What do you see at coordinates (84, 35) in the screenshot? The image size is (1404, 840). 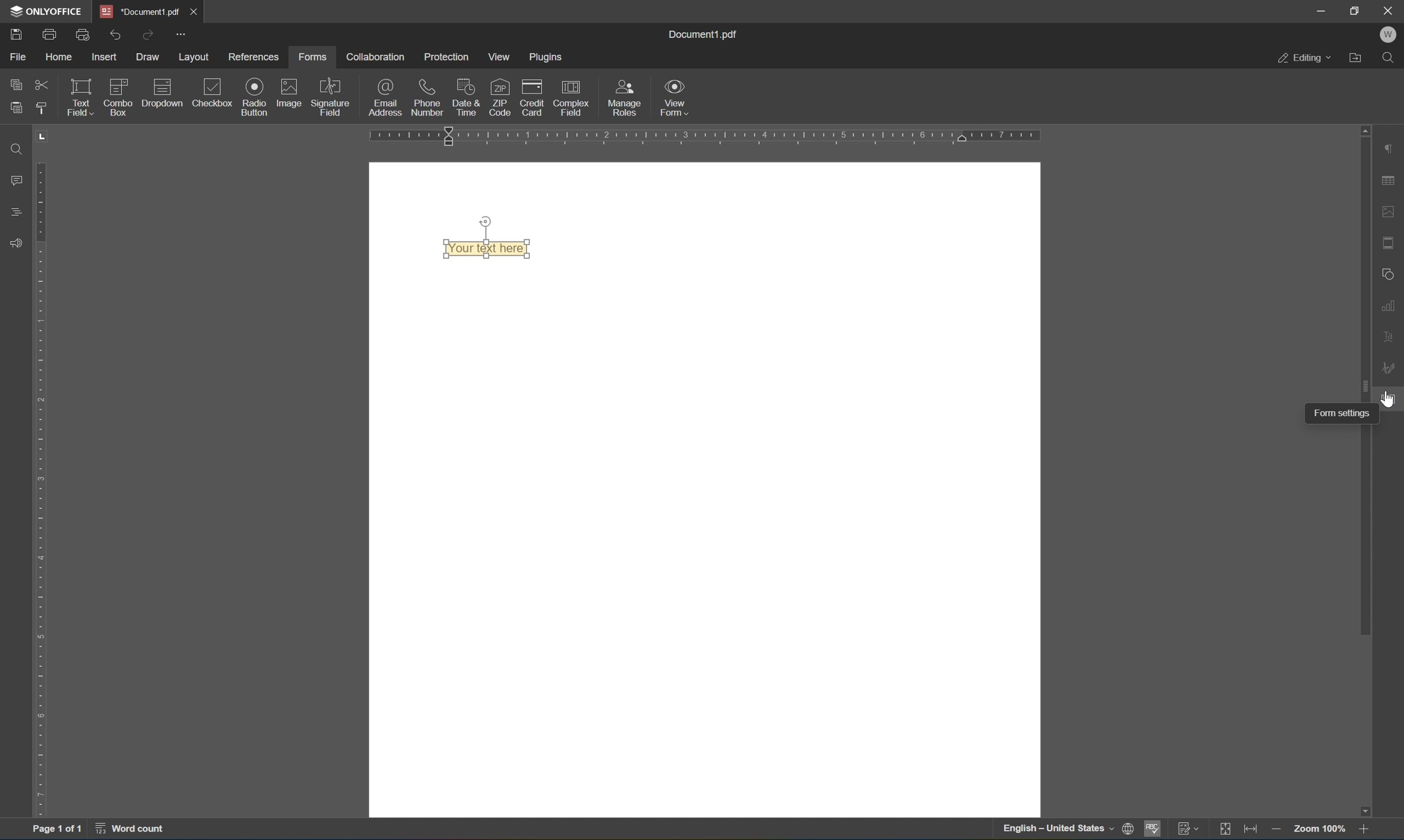 I see `quick print` at bounding box center [84, 35].